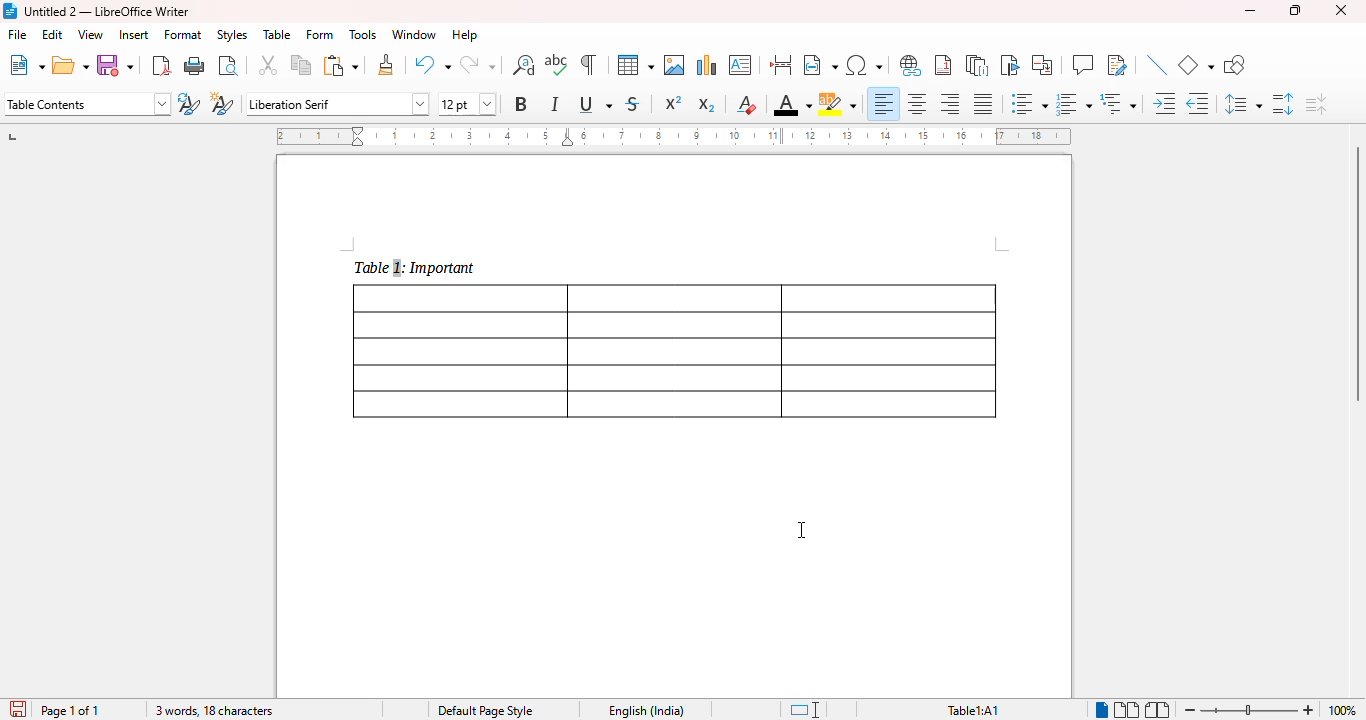 This screenshot has width=1366, height=720. I want to click on increase indent, so click(1164, 103).